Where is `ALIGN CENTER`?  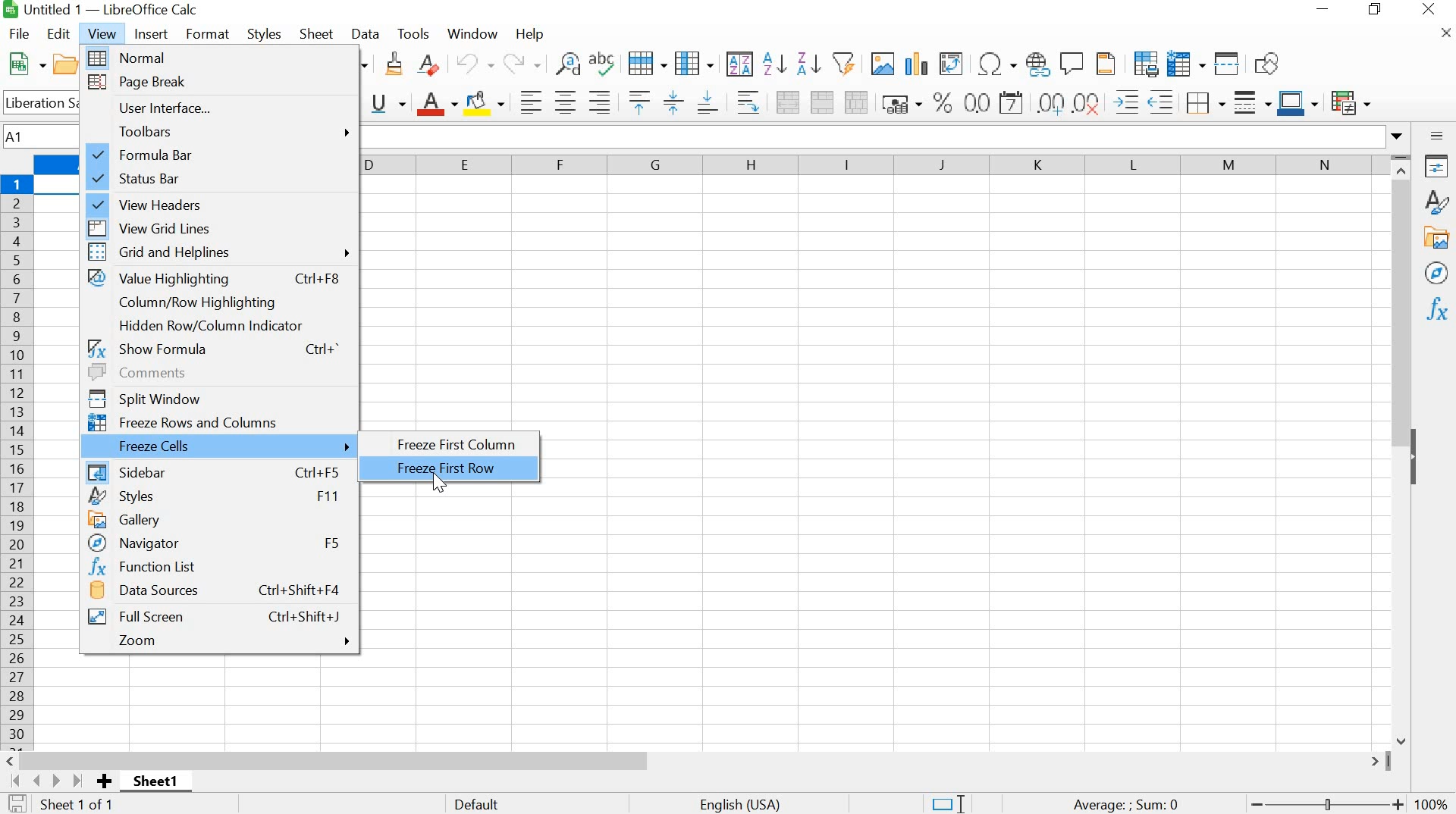 ALIGN CENTER is located at coordinates (564, 103).